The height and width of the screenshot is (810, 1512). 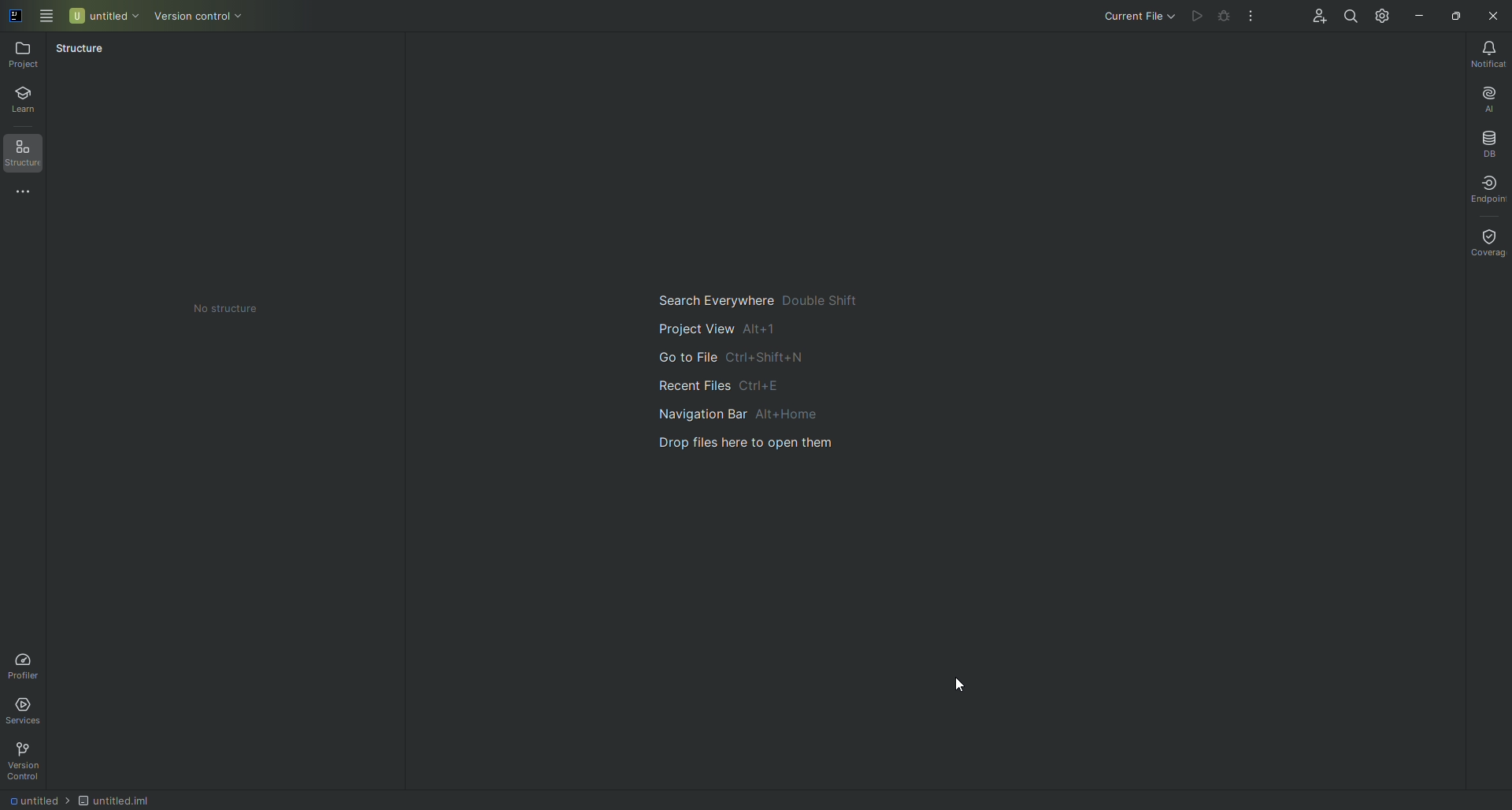 I want to click on Structure, so click(x=80, y=52).